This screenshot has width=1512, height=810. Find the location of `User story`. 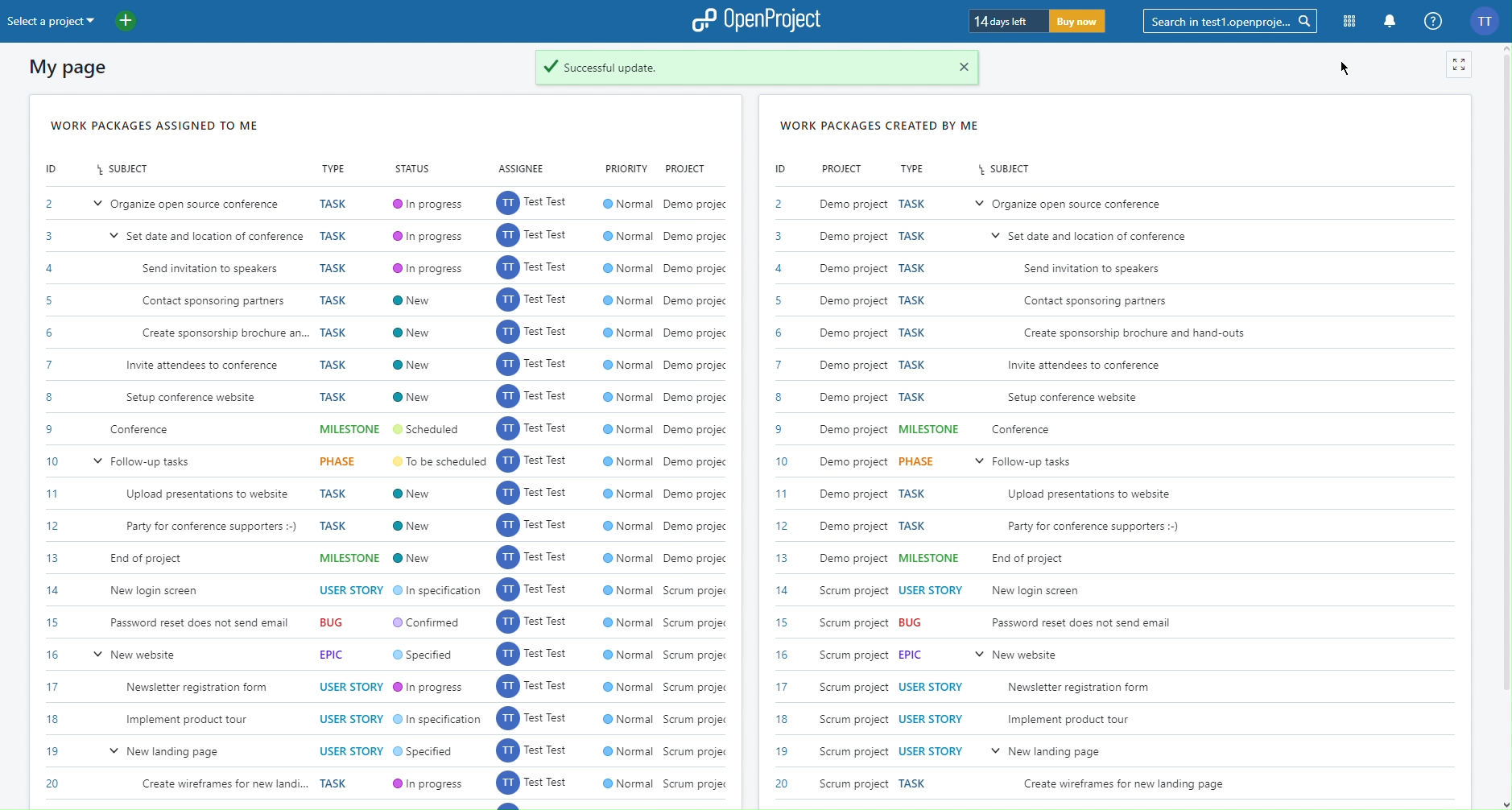

User story is located at coordinates (931, 590).